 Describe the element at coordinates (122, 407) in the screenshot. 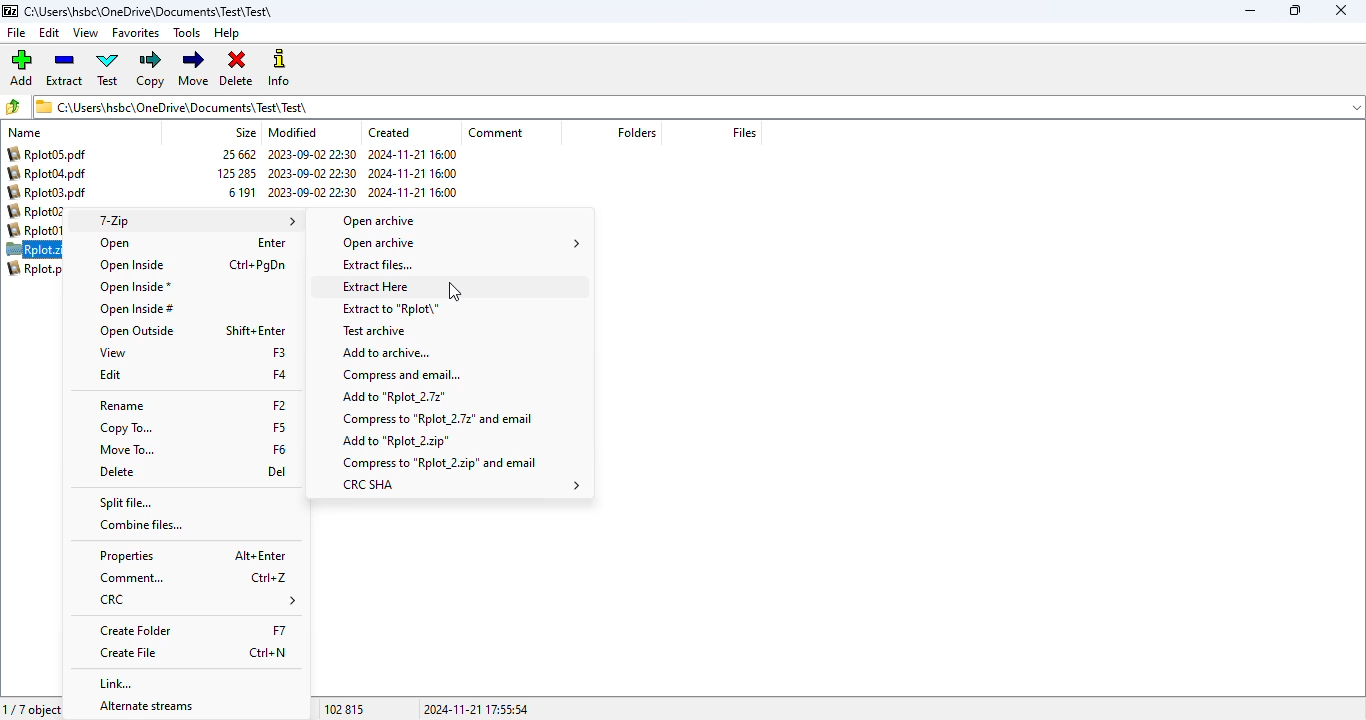

I see `rename` at that location.